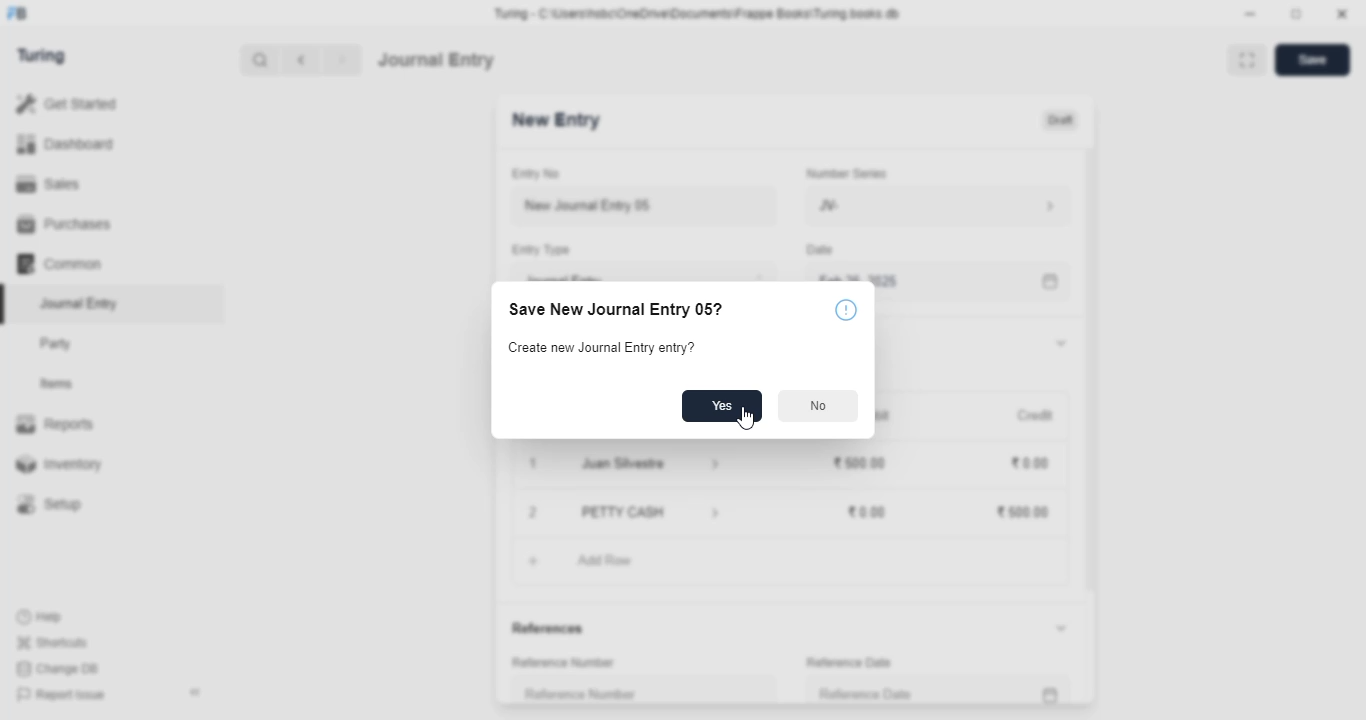  Describe the element at coordinates (604, 348) in the screenshot. I see `create new journal entry entry?` at that location.